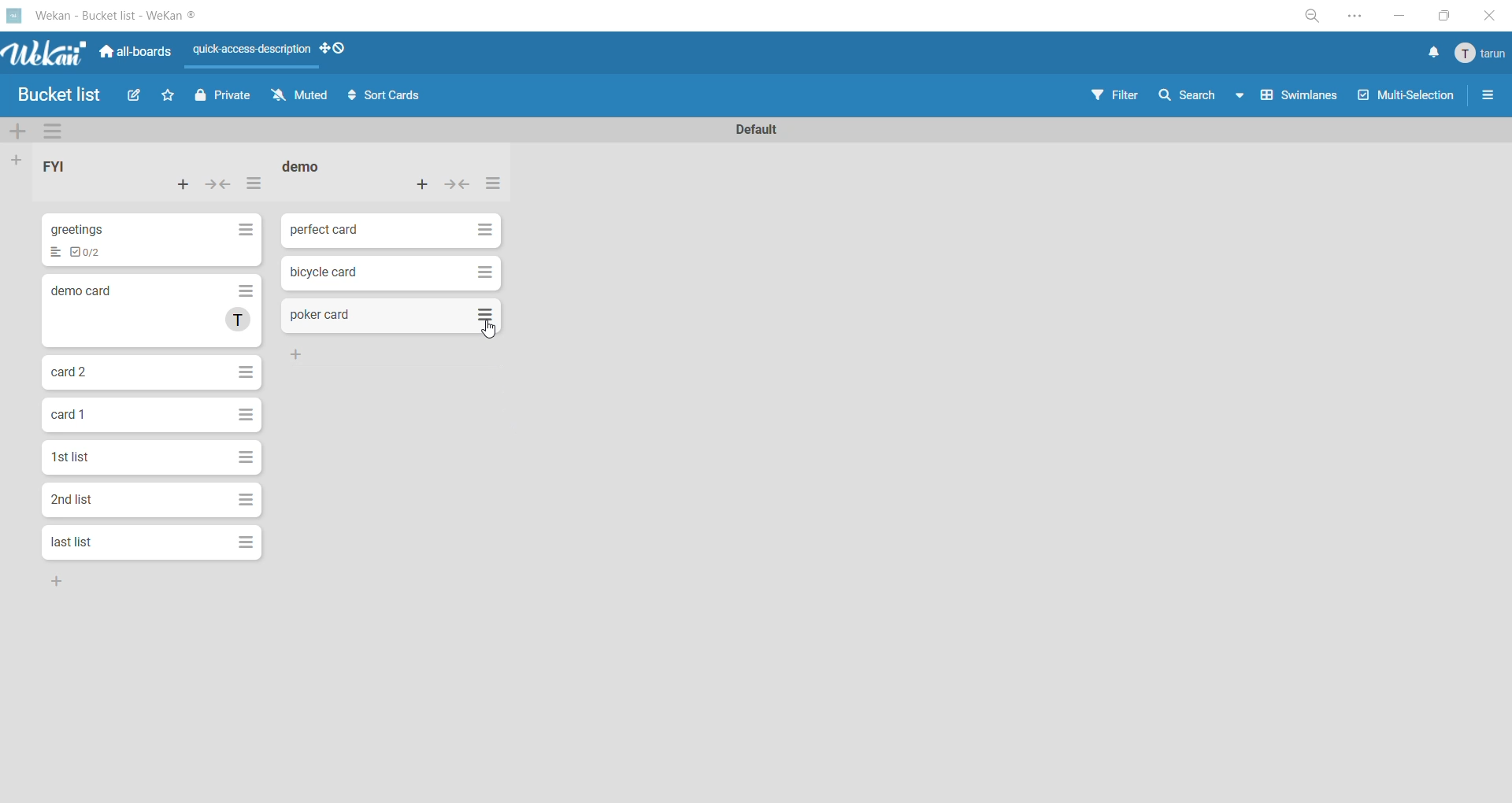 This screenshot has width=1512, height=803. Describe the element at coordinates (222, 98) in the screenshot. I see `private` at that location.